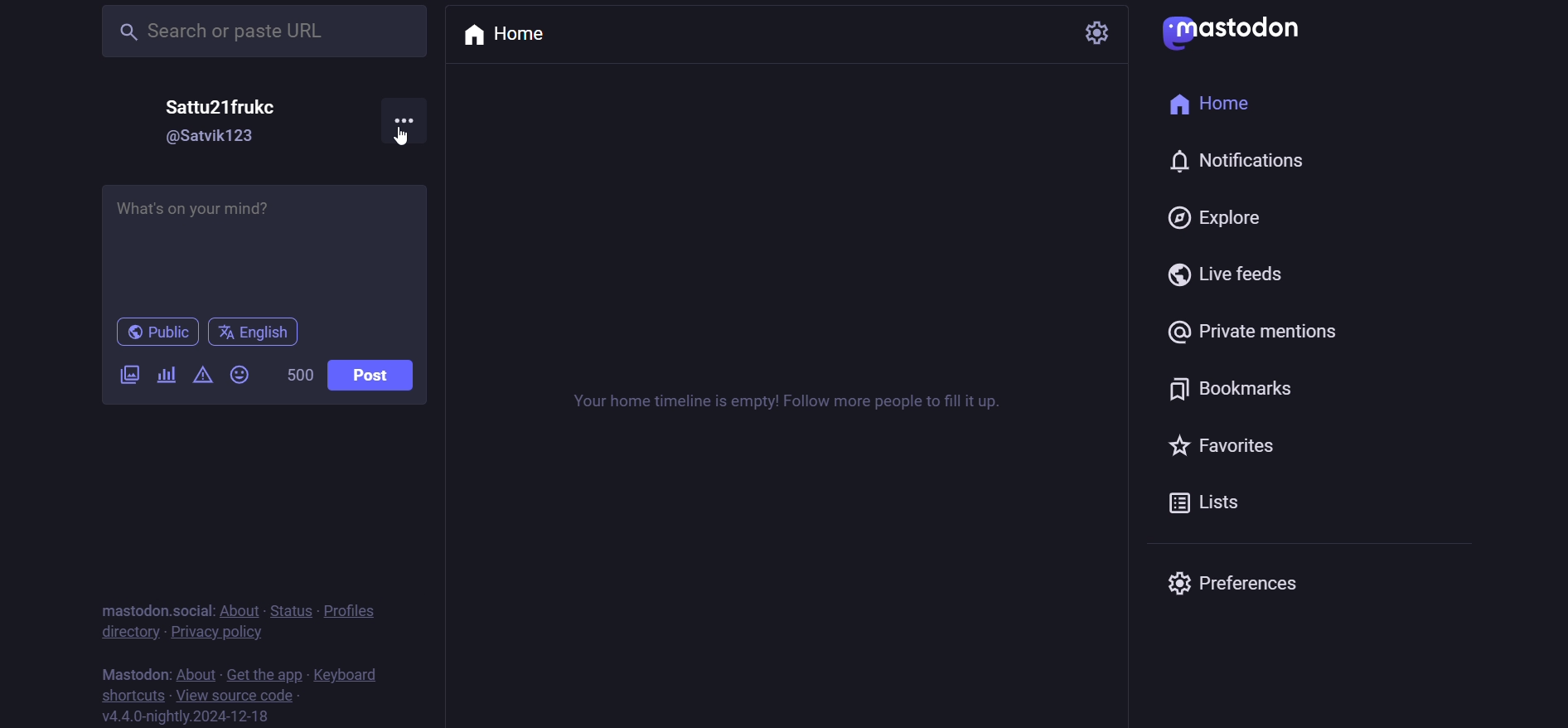 The image size is (1568, 728). What do you see at coordinates (1230, 277) in the screenshot?
I see `live feed` at bounding box center [1230, 277].